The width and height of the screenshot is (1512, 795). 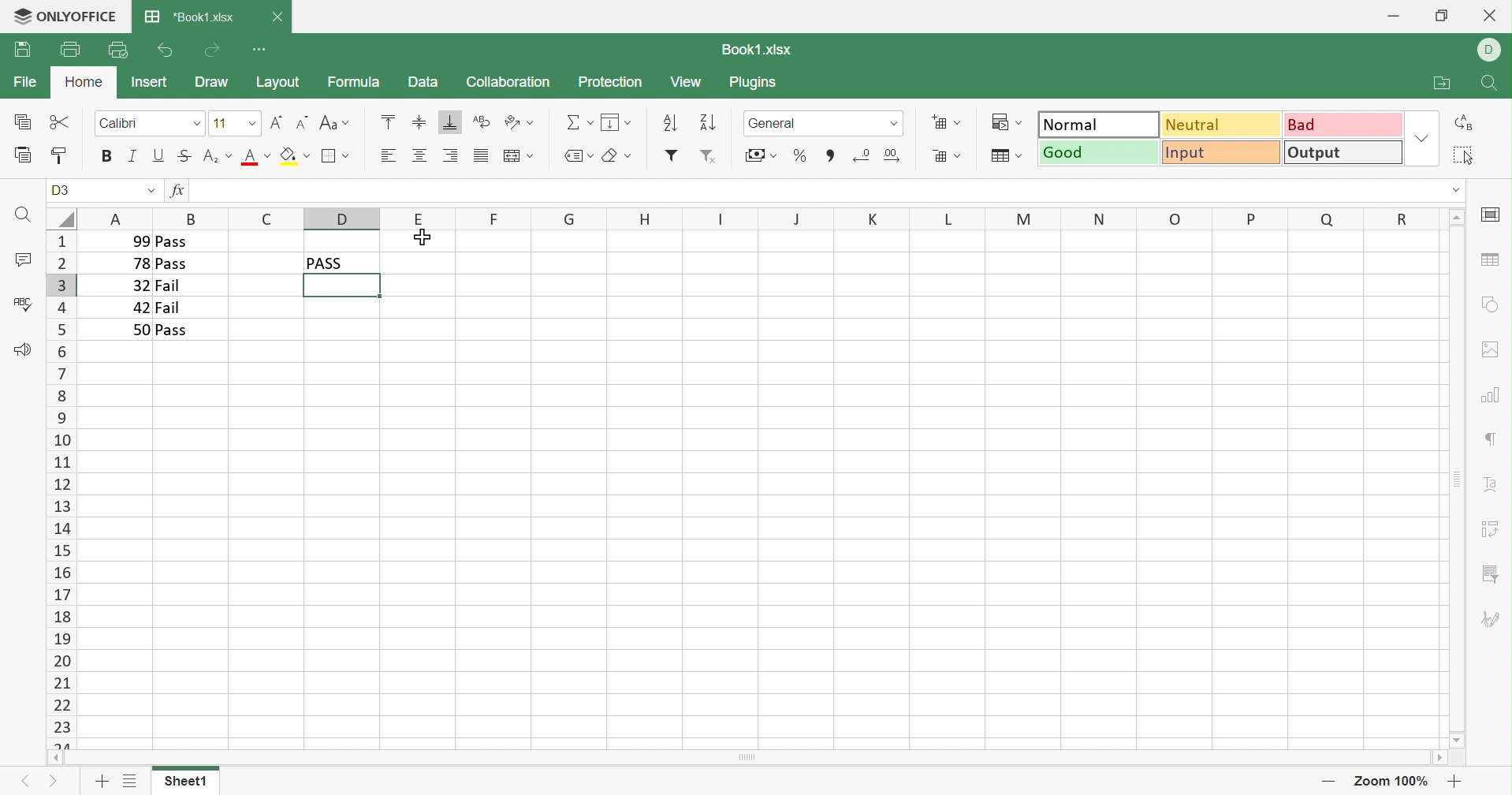 I want to click on Restore down, so click(x=1441, y=15).